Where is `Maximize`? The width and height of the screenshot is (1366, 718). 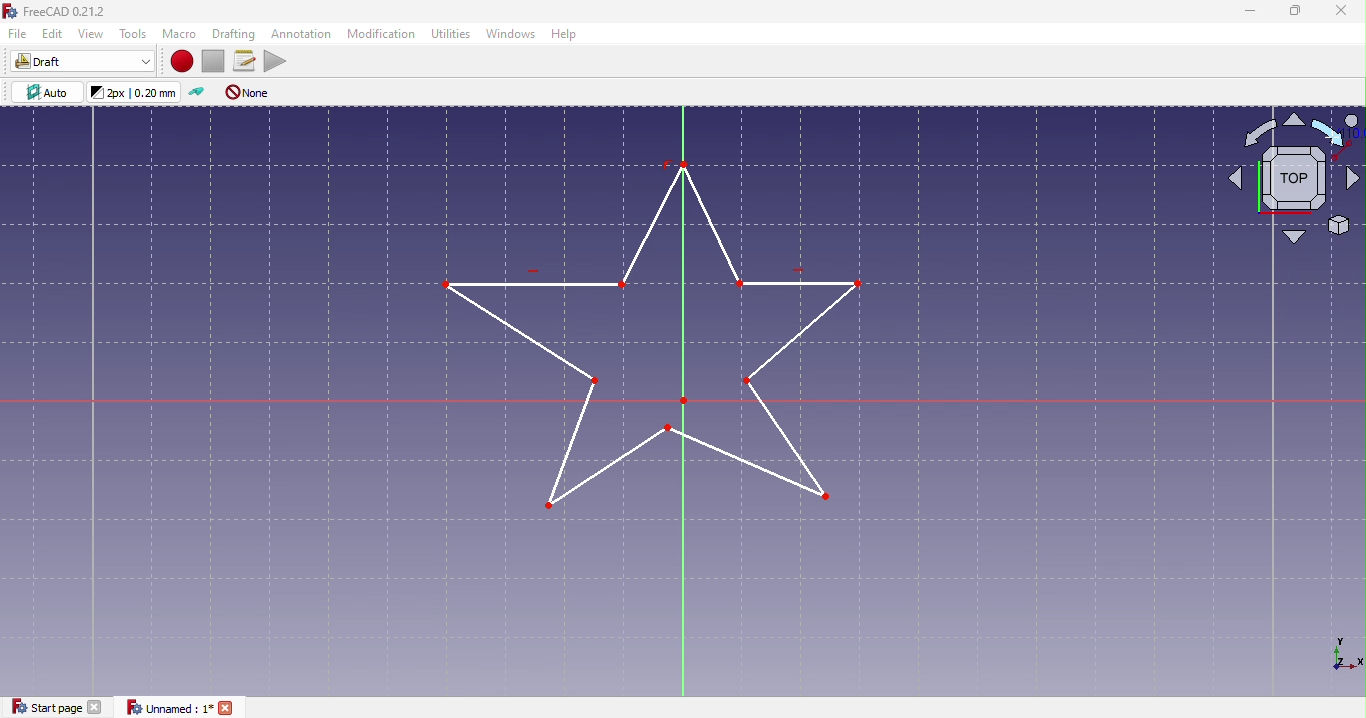 Maximize is located at coordinates (1291, 12).